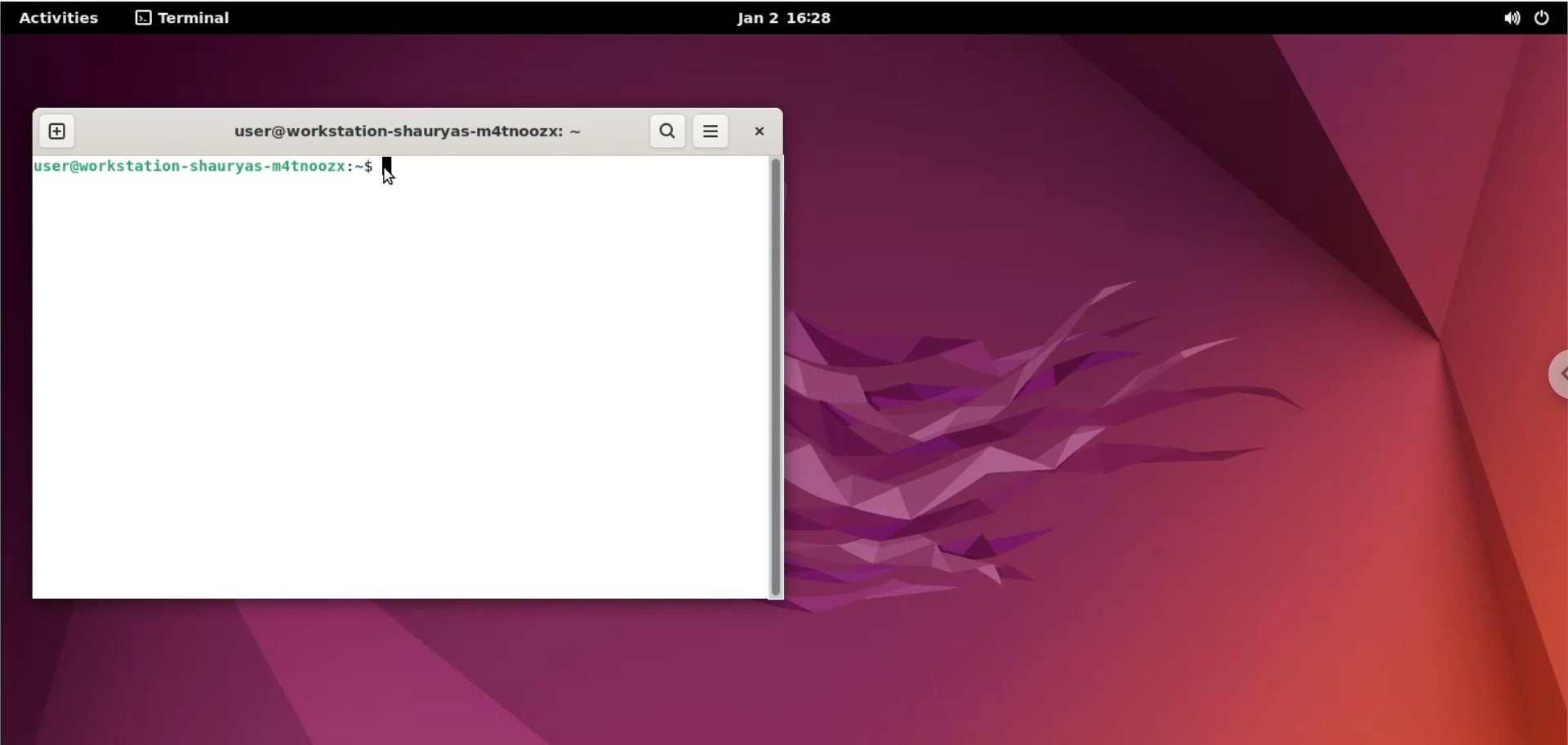 Image resolution: width=1568 pixels, height=745 pixels. Describe the element at coordinates (184, 20) in the screenshot. I see `terminal` at that location.